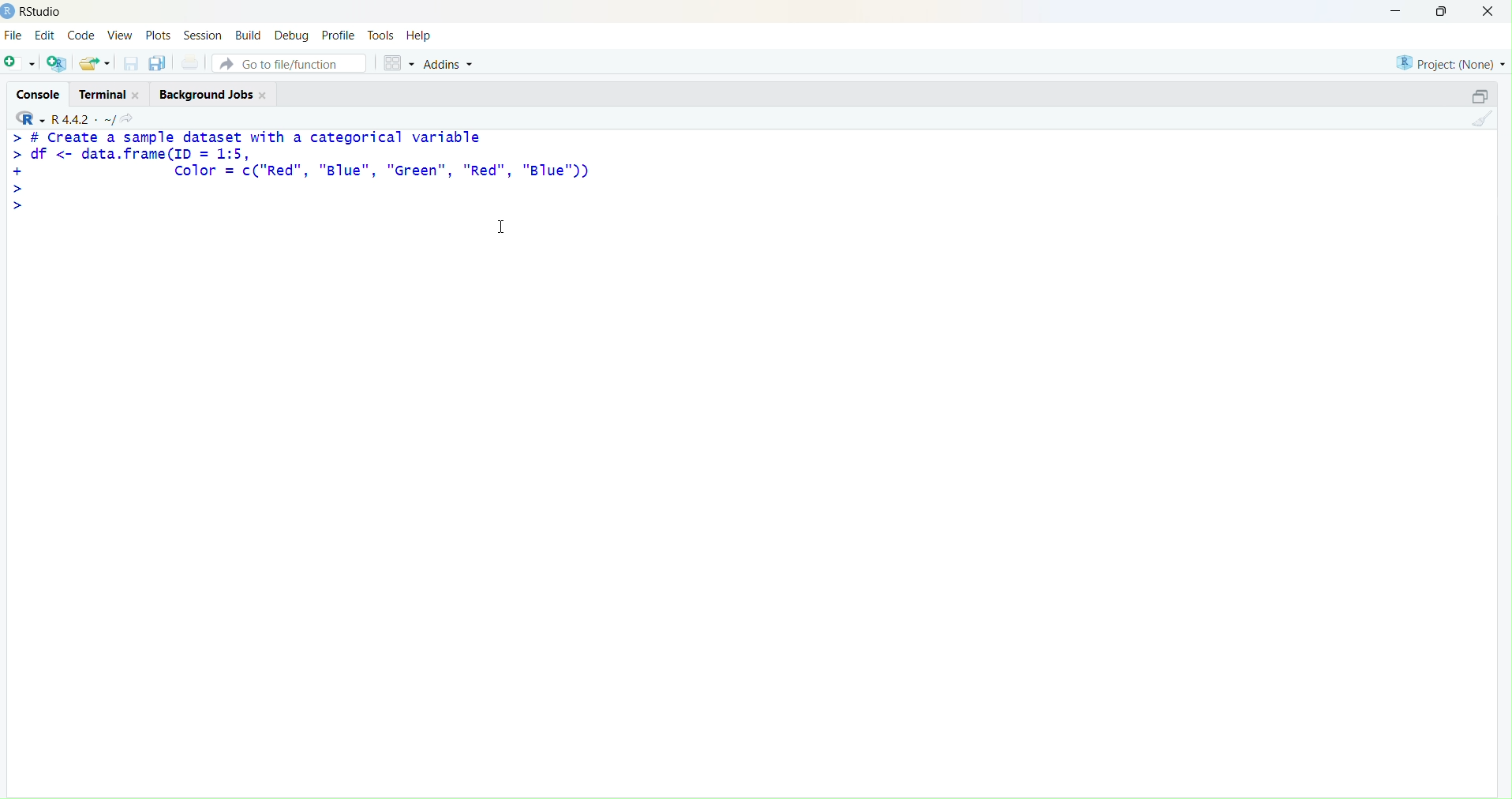  I want to click on > # Create a sample dataset with a categorical variable

> df <- data.frame(ID = 1:5,

+ color = c("Red", "Blue", "Green", "Red", "Blue"))
>

>, so click(301, 174).